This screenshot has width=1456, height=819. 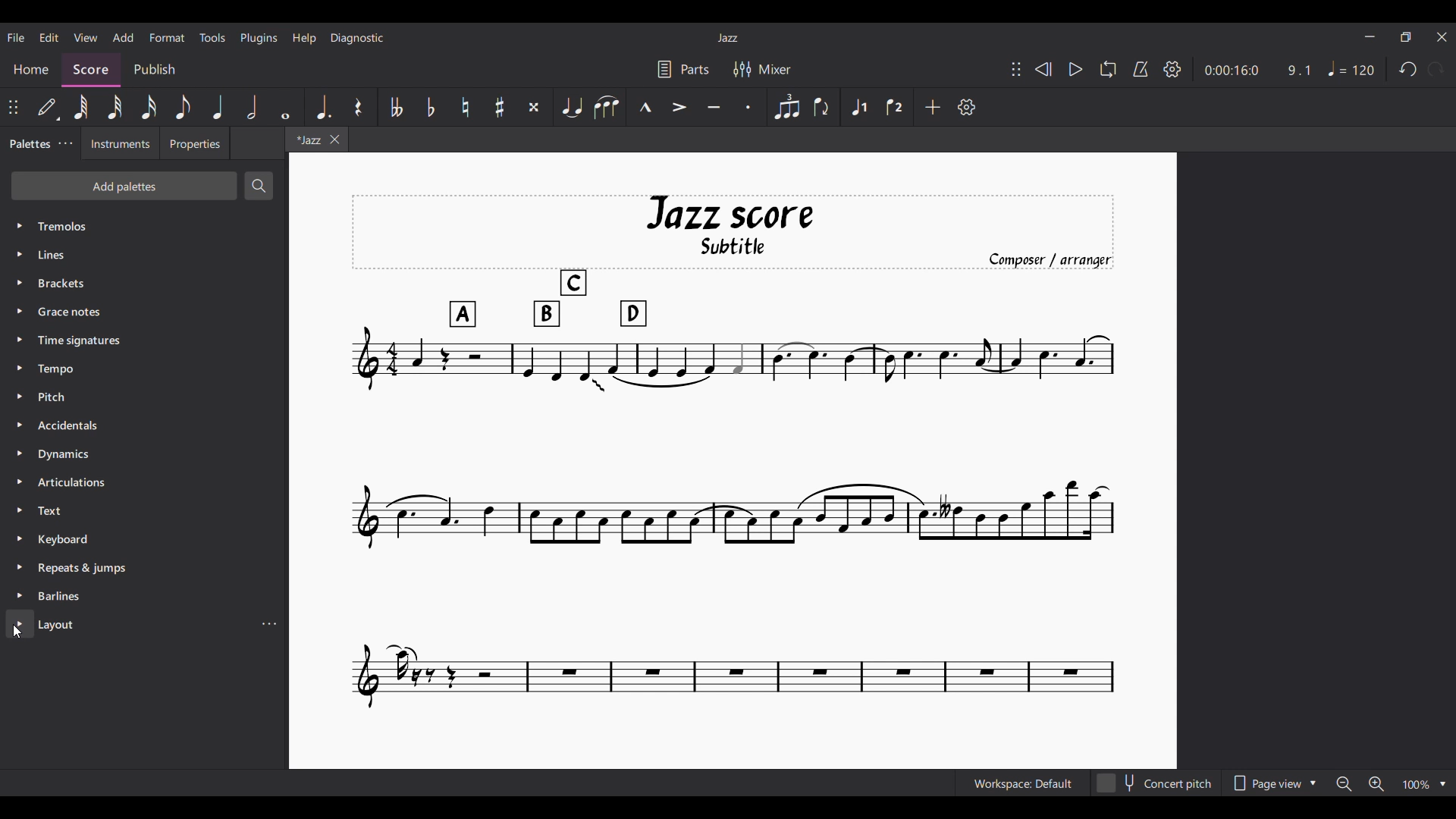 I want to click on Time signatures, so click(x=144, y=340).